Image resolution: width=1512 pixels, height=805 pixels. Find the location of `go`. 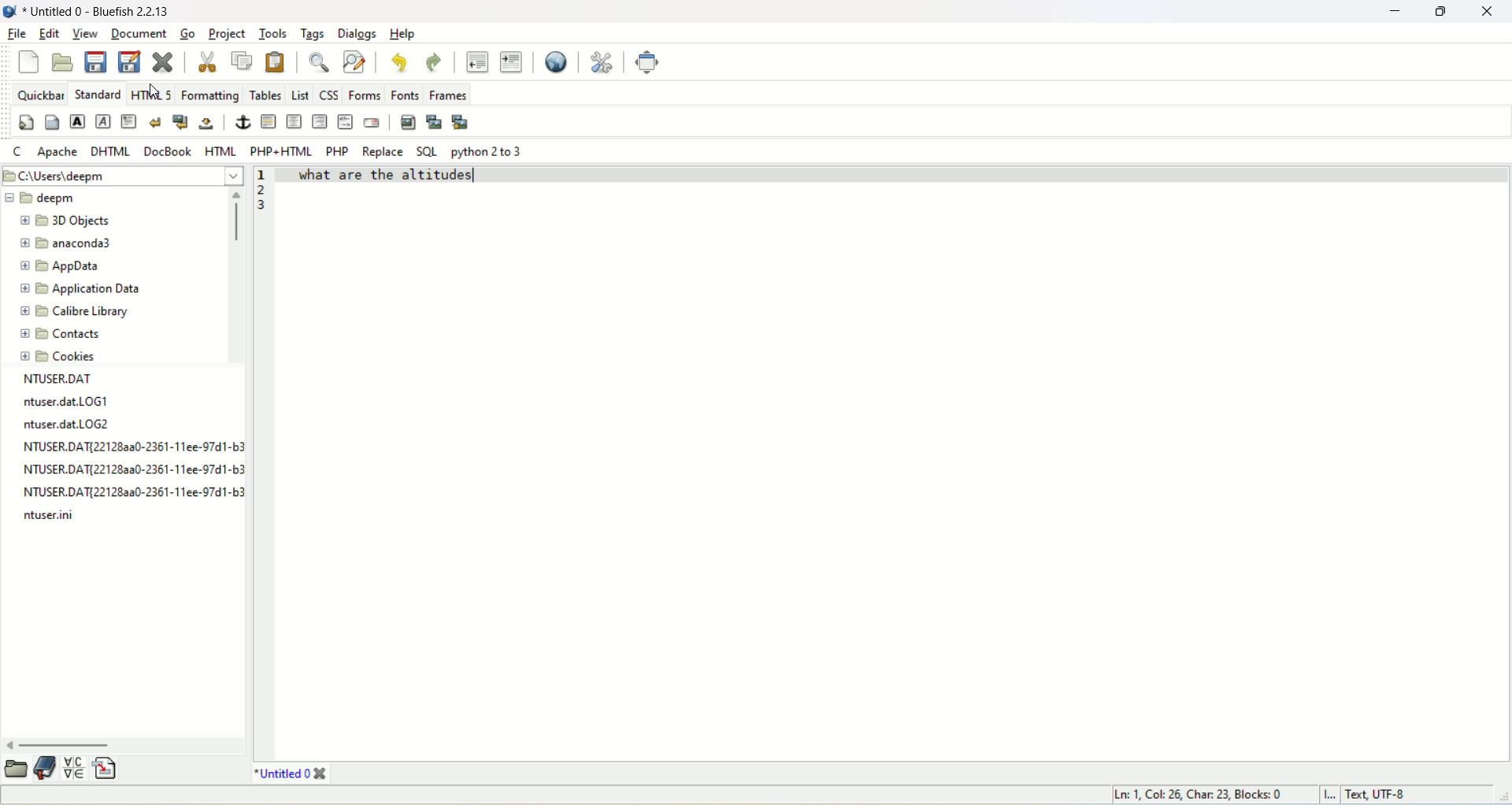

go is located at coordinates (185, 34).